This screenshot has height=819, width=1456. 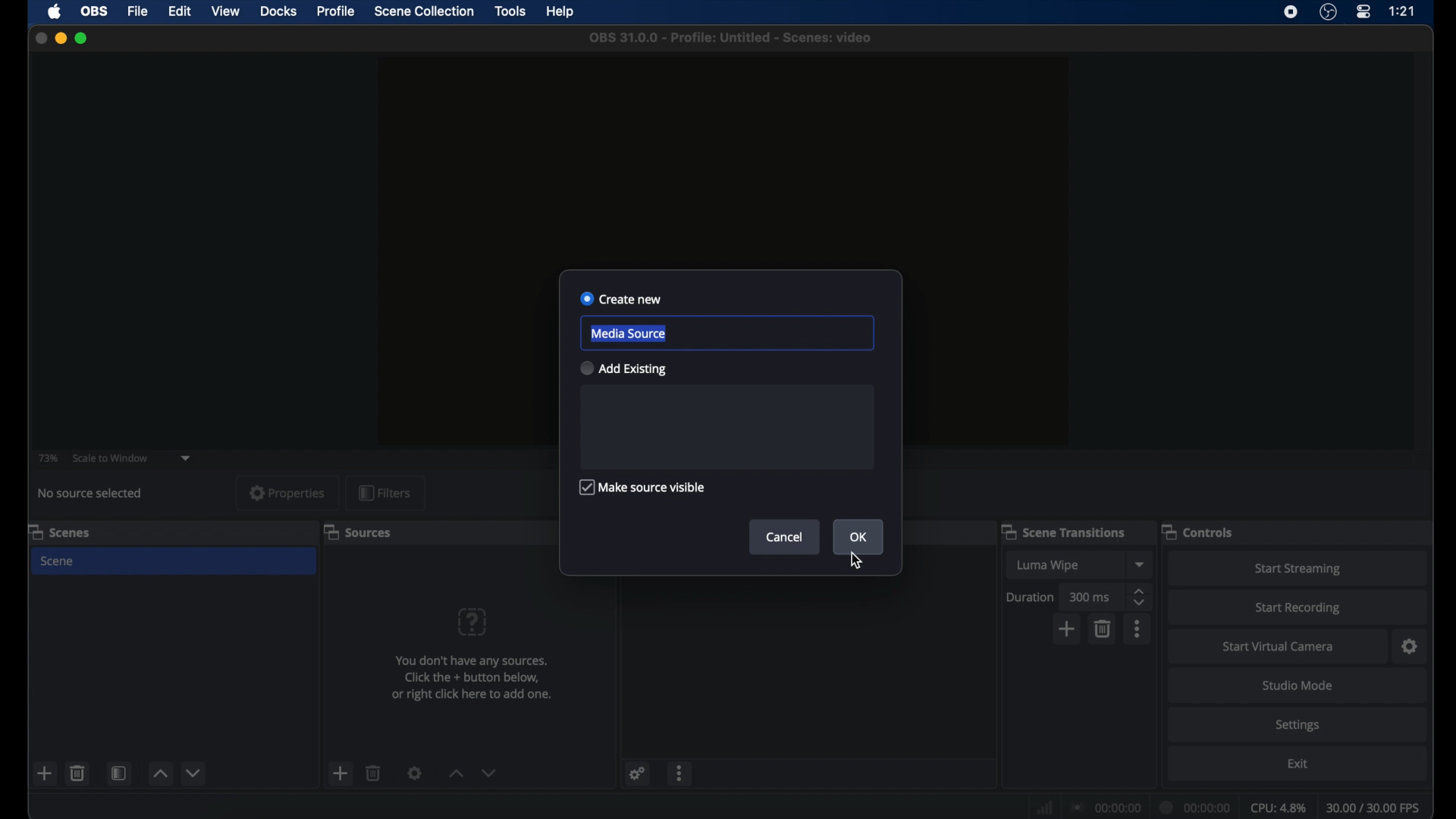 What do you see at coordinates (1364, 11) in the screenshot?
I see `control center` at bounding box center [1364, 11].